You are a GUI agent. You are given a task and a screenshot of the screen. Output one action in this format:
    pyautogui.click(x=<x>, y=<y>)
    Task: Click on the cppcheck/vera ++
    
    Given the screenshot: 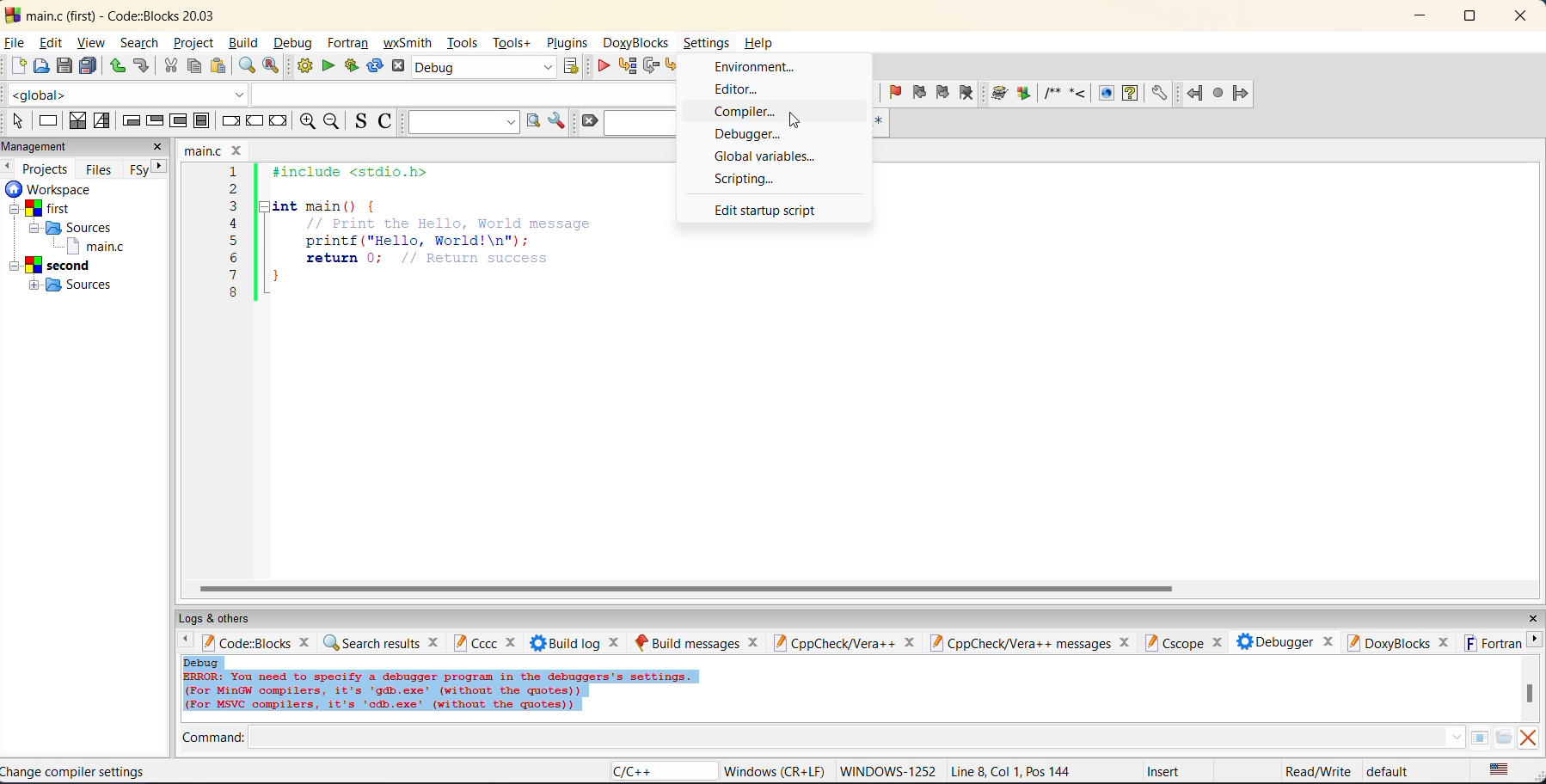 What is the action you would take?
    pyautogui.click(x=842, y=640)
    